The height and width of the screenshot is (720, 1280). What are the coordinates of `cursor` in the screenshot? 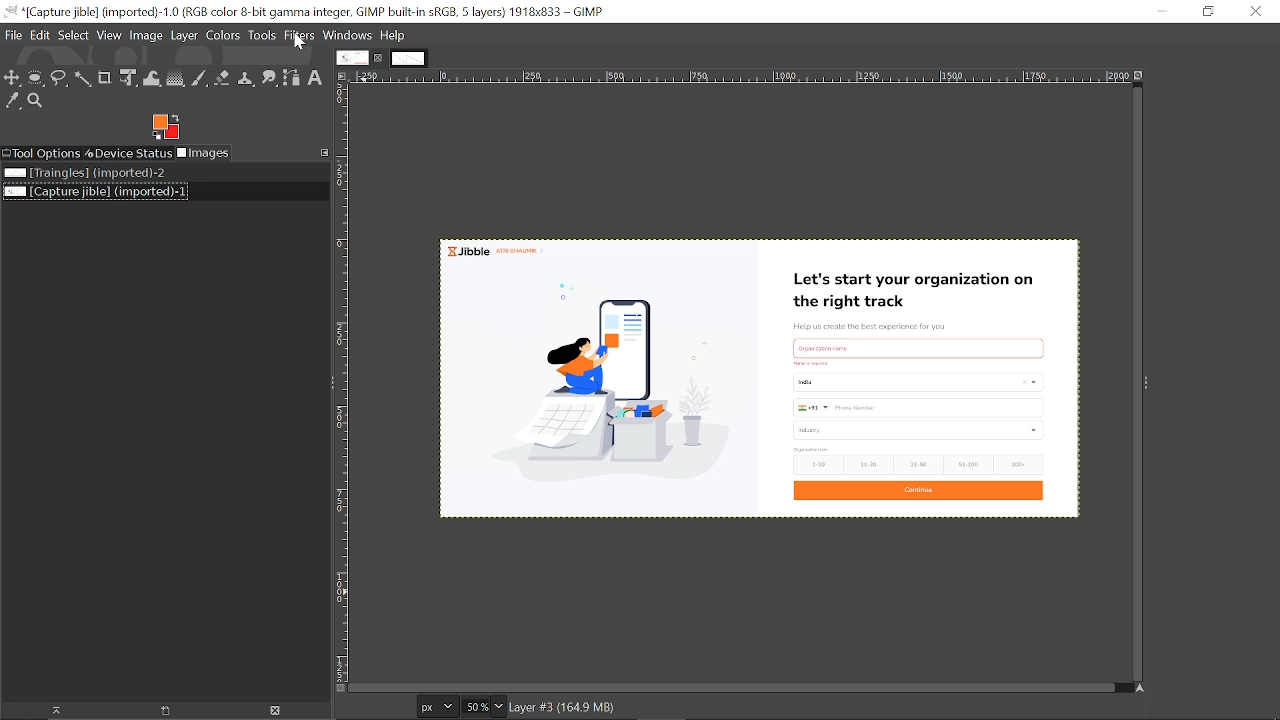 It's located at (299, 41).